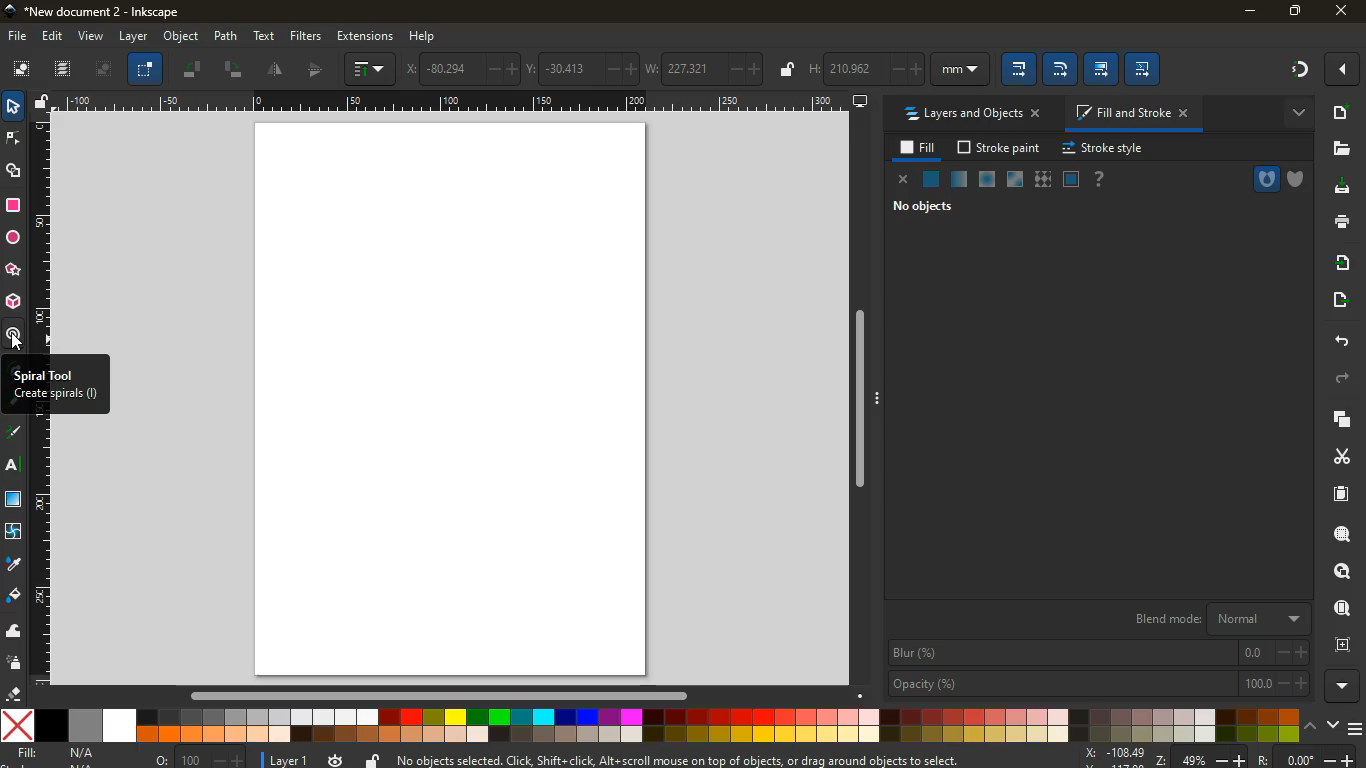 The image size is (1366, 768). What do you see at coordinates (1000, 148) in the screenshot?
I see `stroke paint` at bounding box center [1000, 148].